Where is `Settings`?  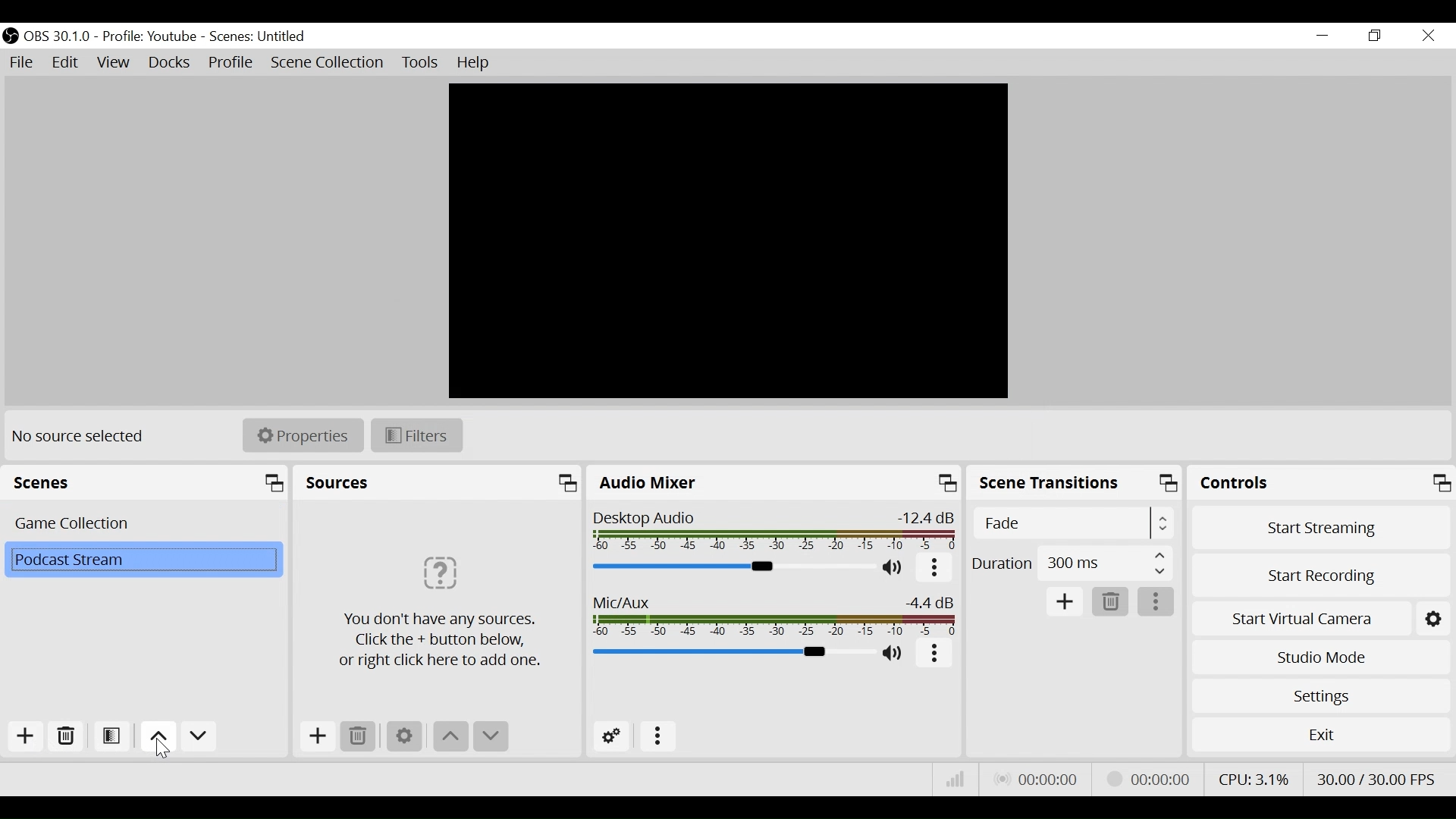
Settings is located at coordinates (1320, 695).